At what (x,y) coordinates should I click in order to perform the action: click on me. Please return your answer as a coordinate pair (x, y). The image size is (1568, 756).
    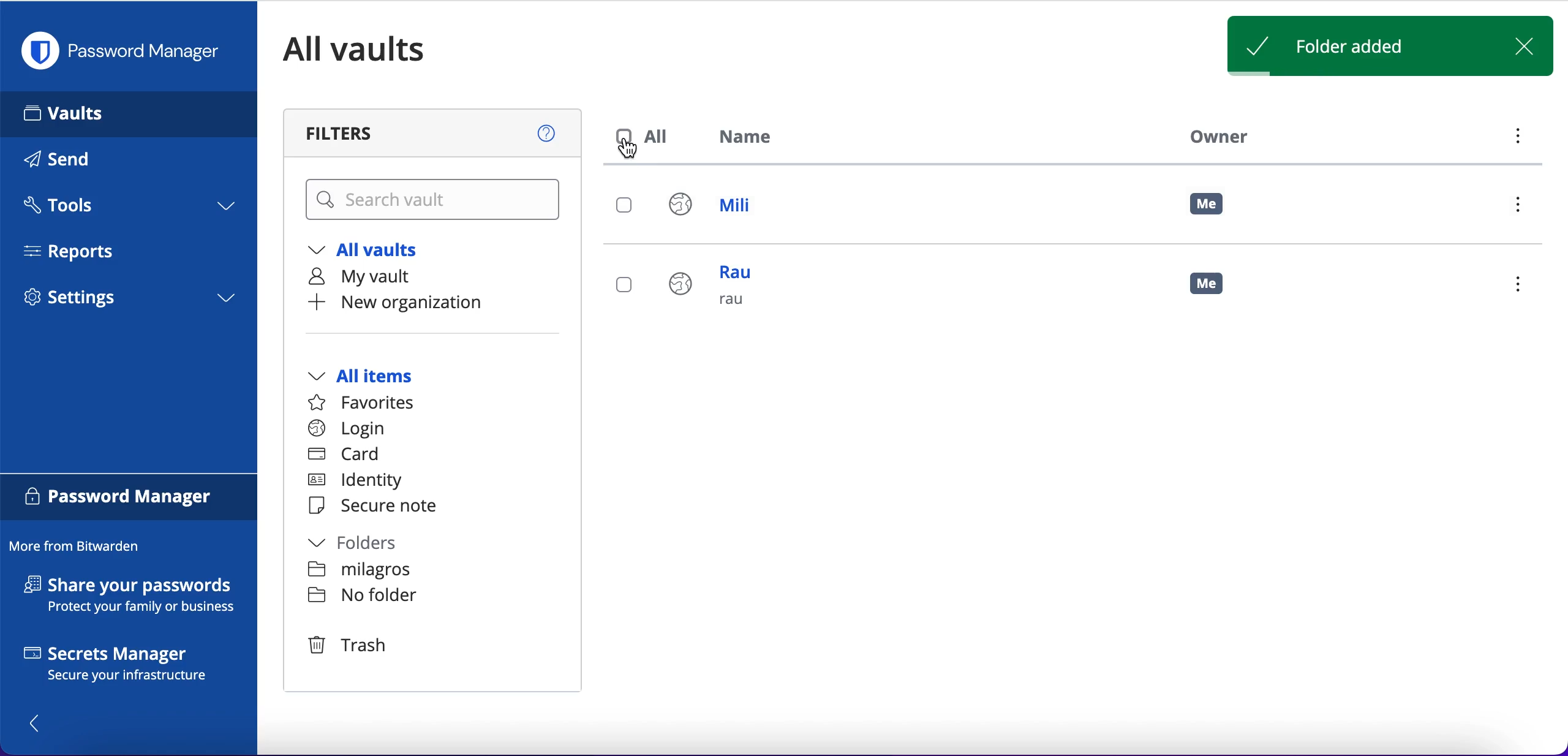
    Looking at the image, I should click on (1208, 205).